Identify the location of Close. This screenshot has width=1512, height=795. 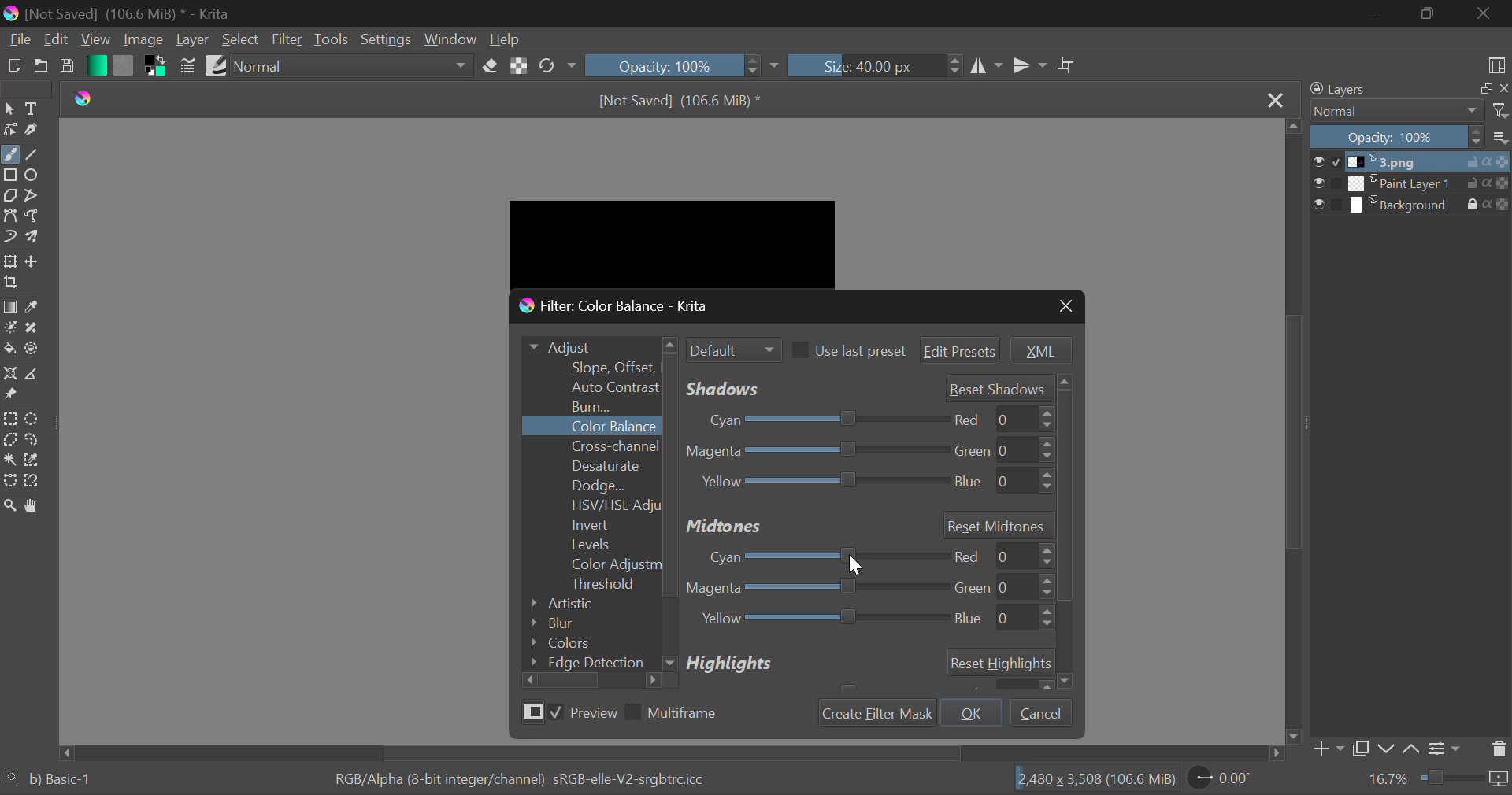
(1482, 13).